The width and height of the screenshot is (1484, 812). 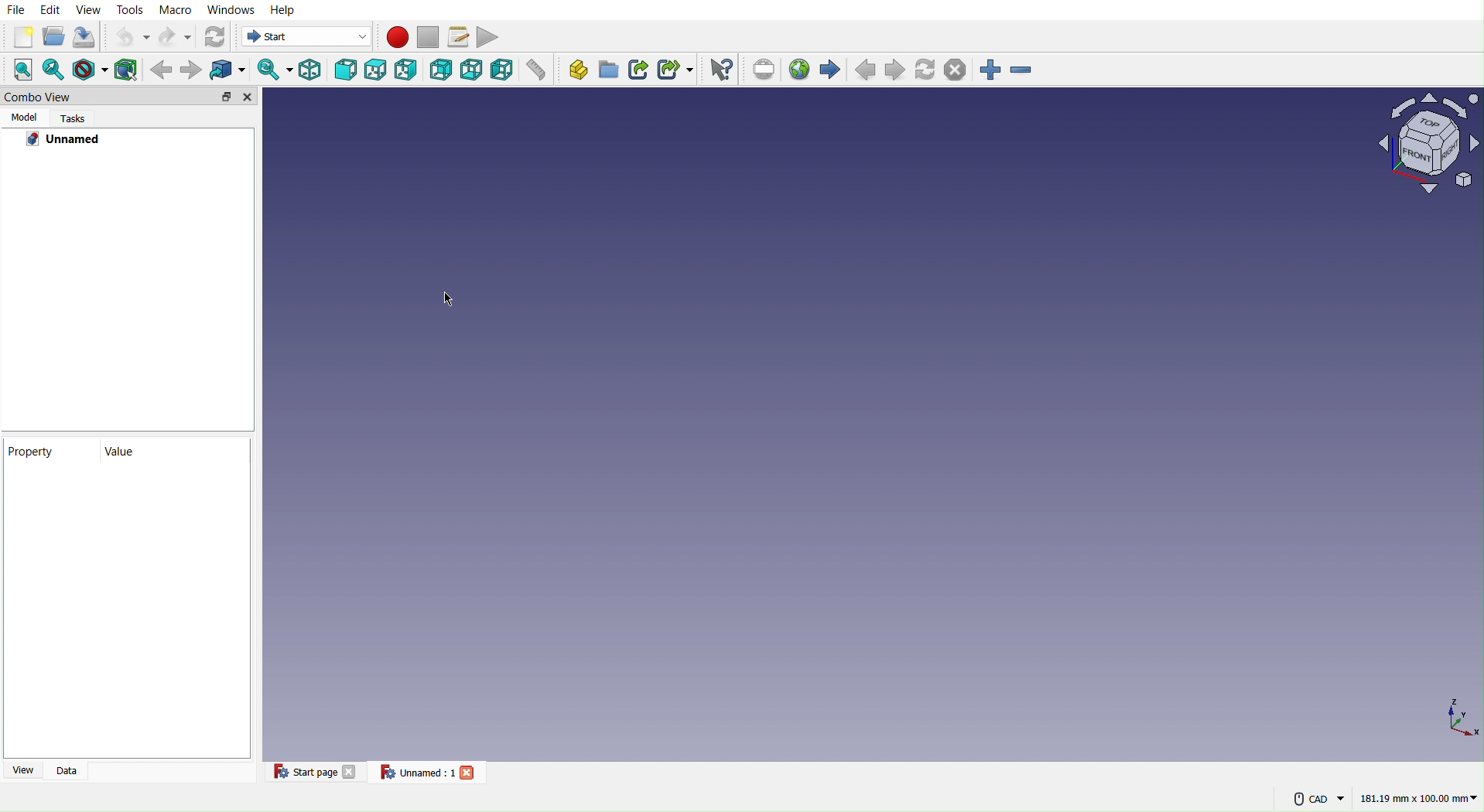 I want to click on Unnamed : 1, so click(x=432, y=774).